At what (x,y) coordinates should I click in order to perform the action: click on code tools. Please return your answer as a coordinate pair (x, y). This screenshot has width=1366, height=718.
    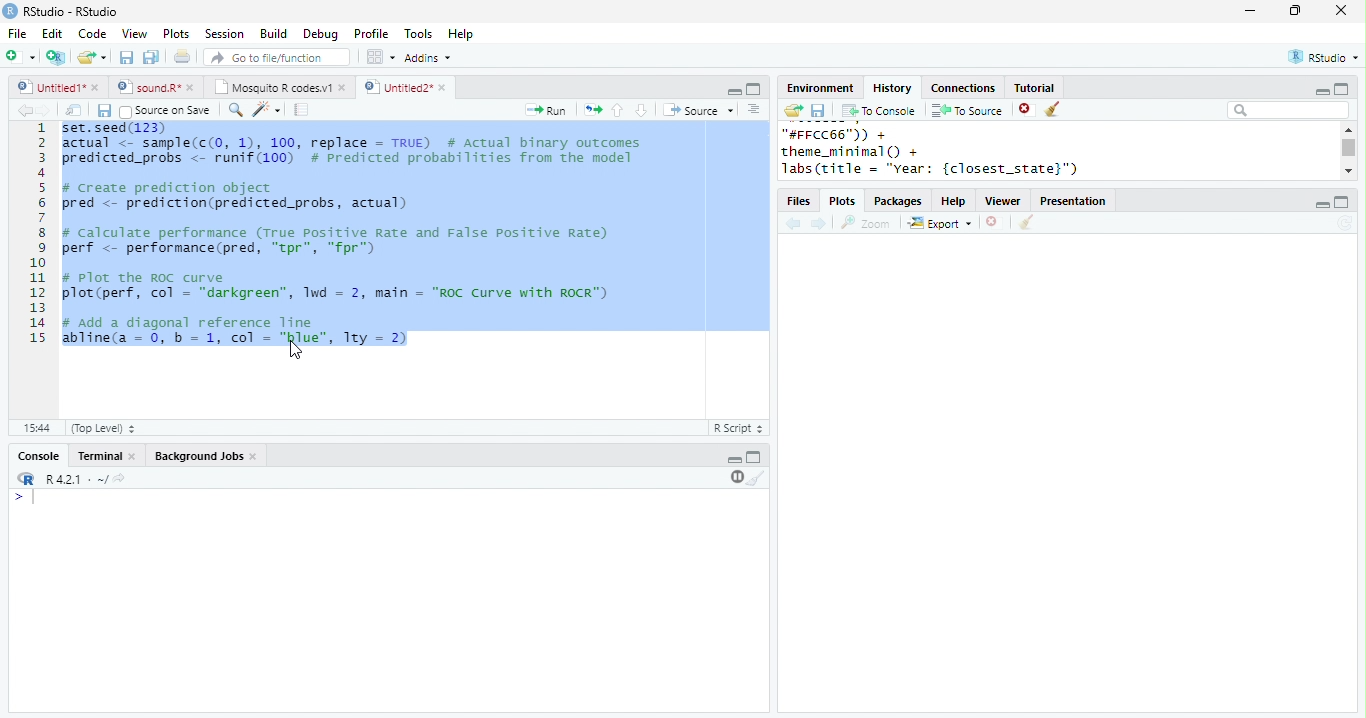
    Looking at the image, I should click on (267, 109).